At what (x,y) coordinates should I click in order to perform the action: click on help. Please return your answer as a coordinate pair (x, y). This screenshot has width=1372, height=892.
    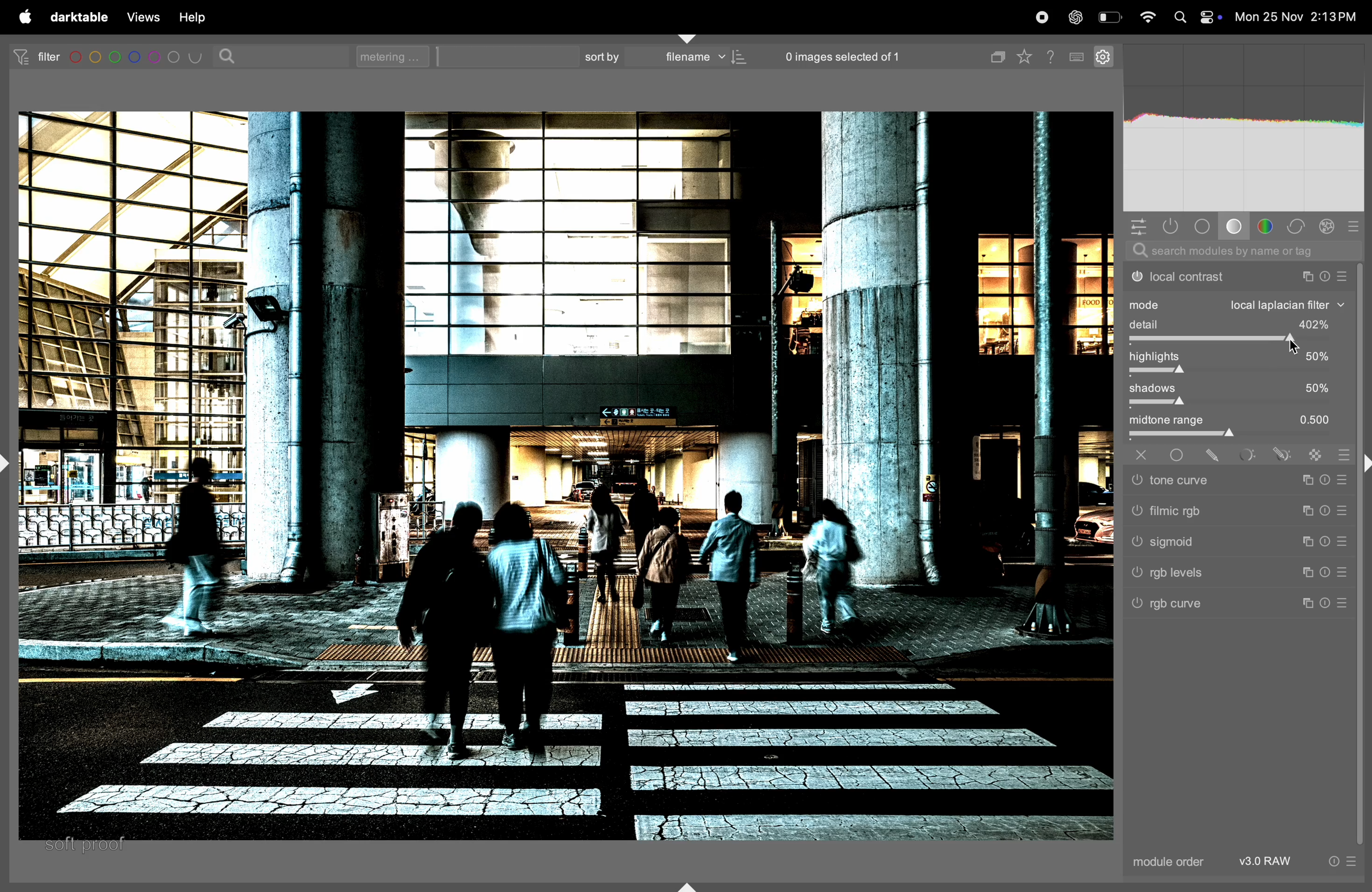
    Looking at the image, I should click on (1053, 55).